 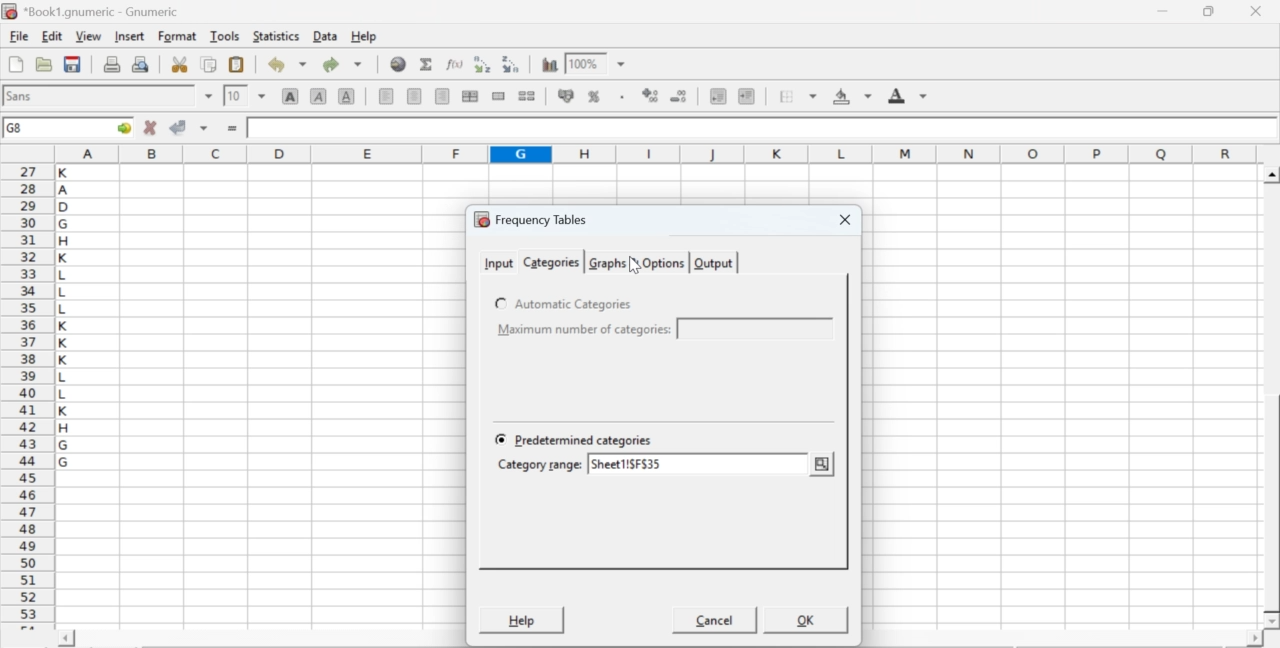 What do you see at coordinates (512, 62) in the screenshot?
I see `Sort the selected region in descending order based on the first column selected` at bounding box center [512, 62].